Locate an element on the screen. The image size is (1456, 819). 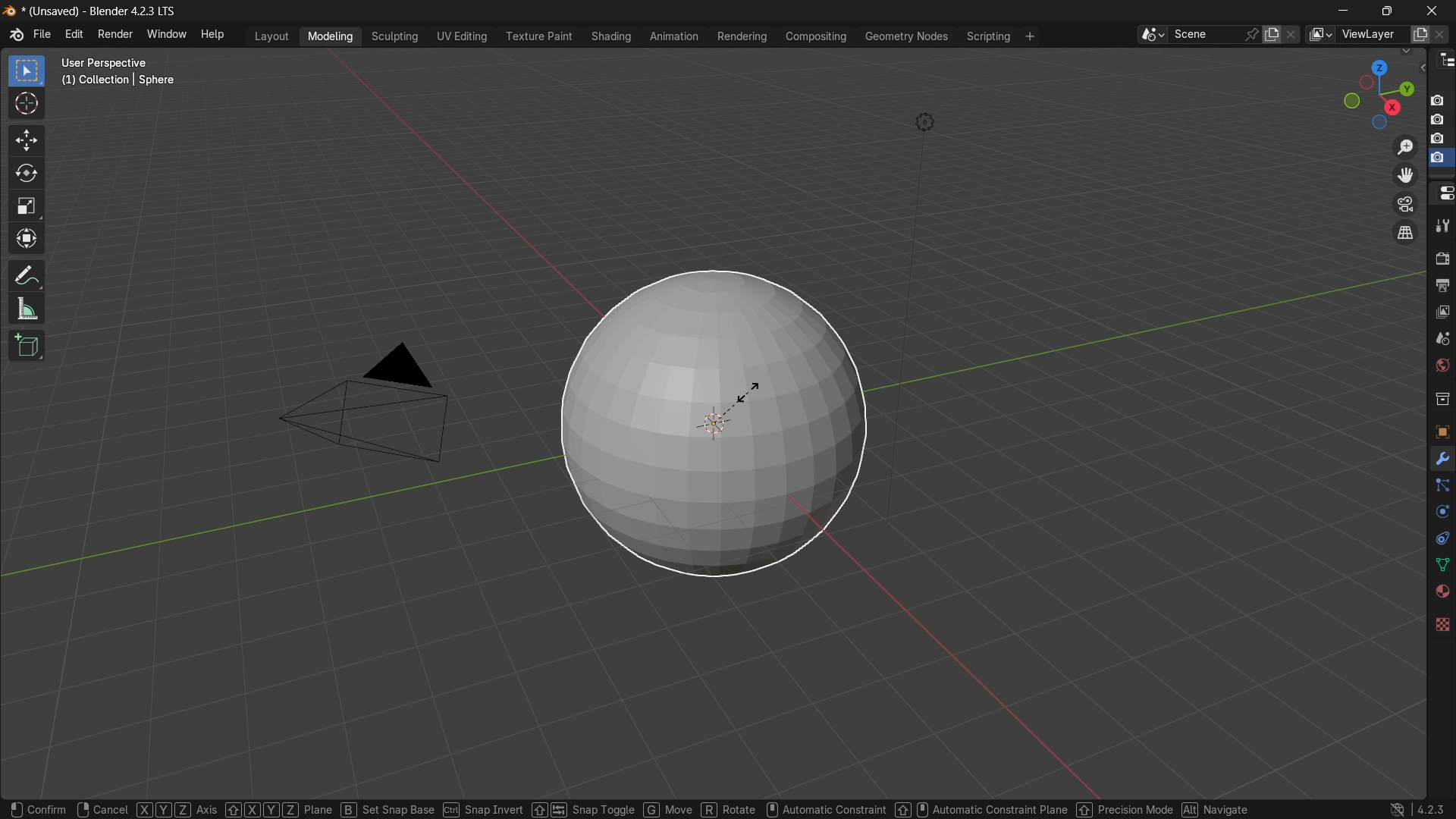
maximize or restore is located at coordinates (1386, 11).